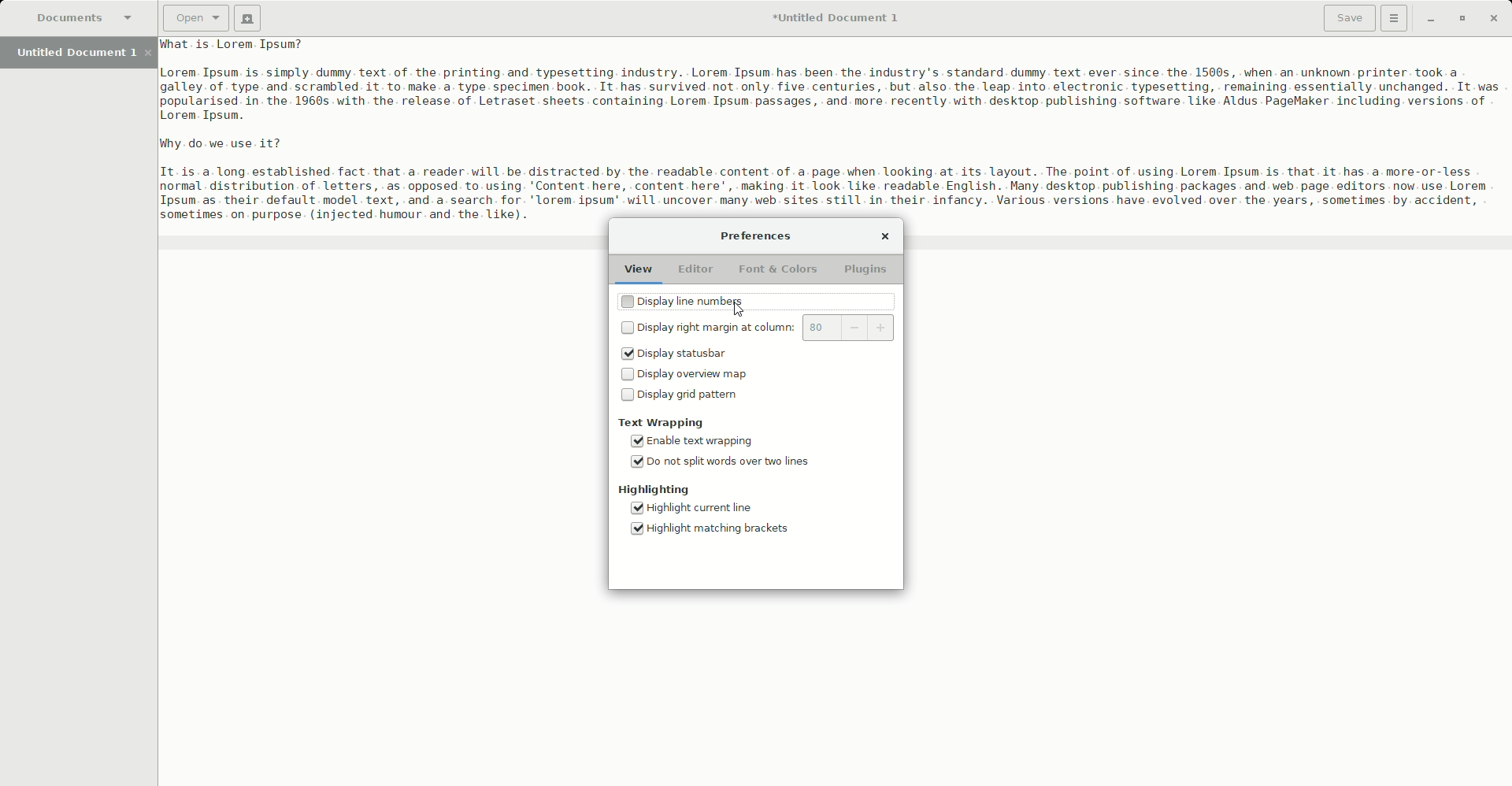  Describe the element at coordinates (664, 424) in the screenshot. I see `Text wrapping` at that location.